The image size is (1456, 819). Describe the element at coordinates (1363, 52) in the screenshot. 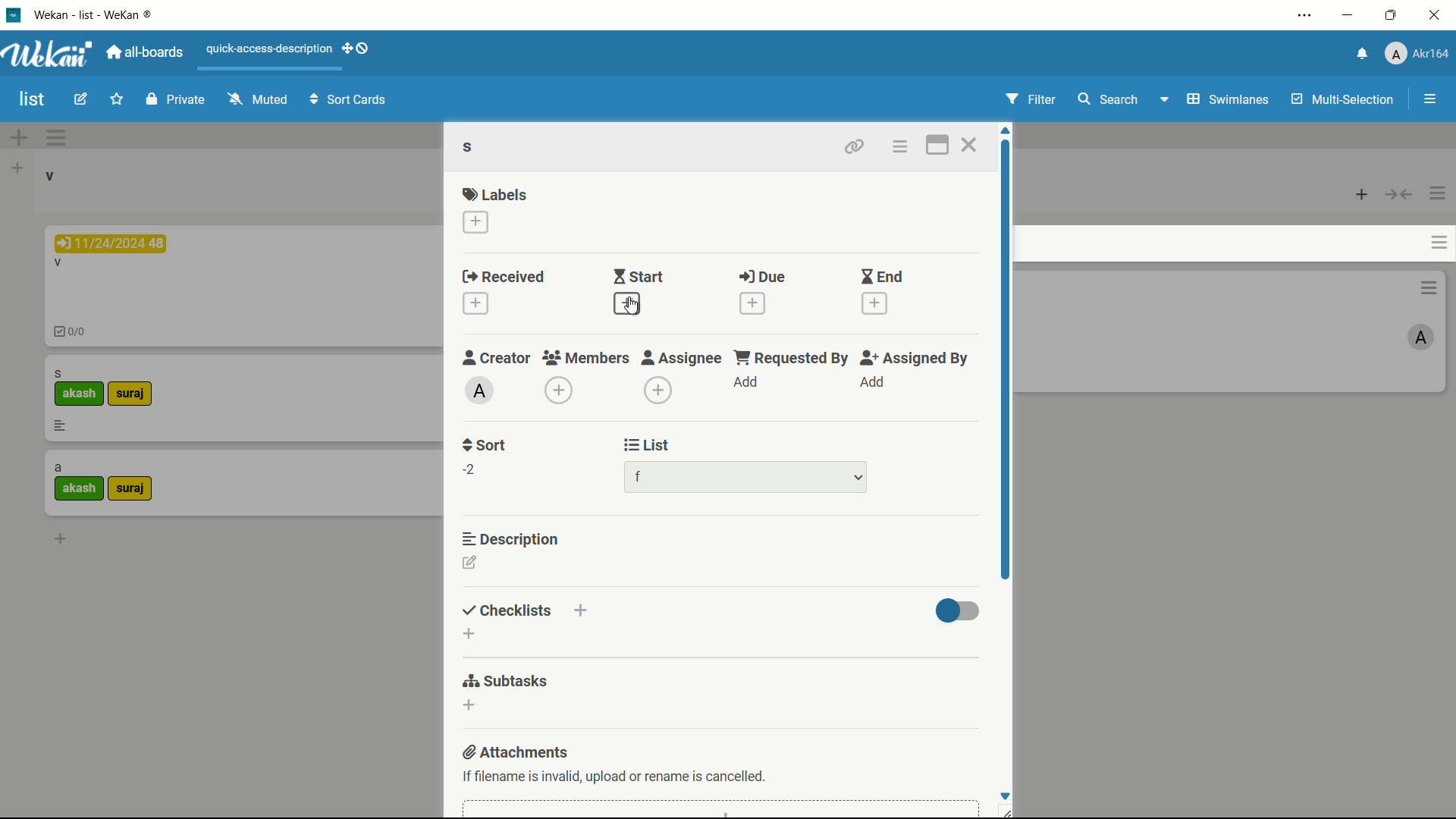

I see `notifications` at that location.